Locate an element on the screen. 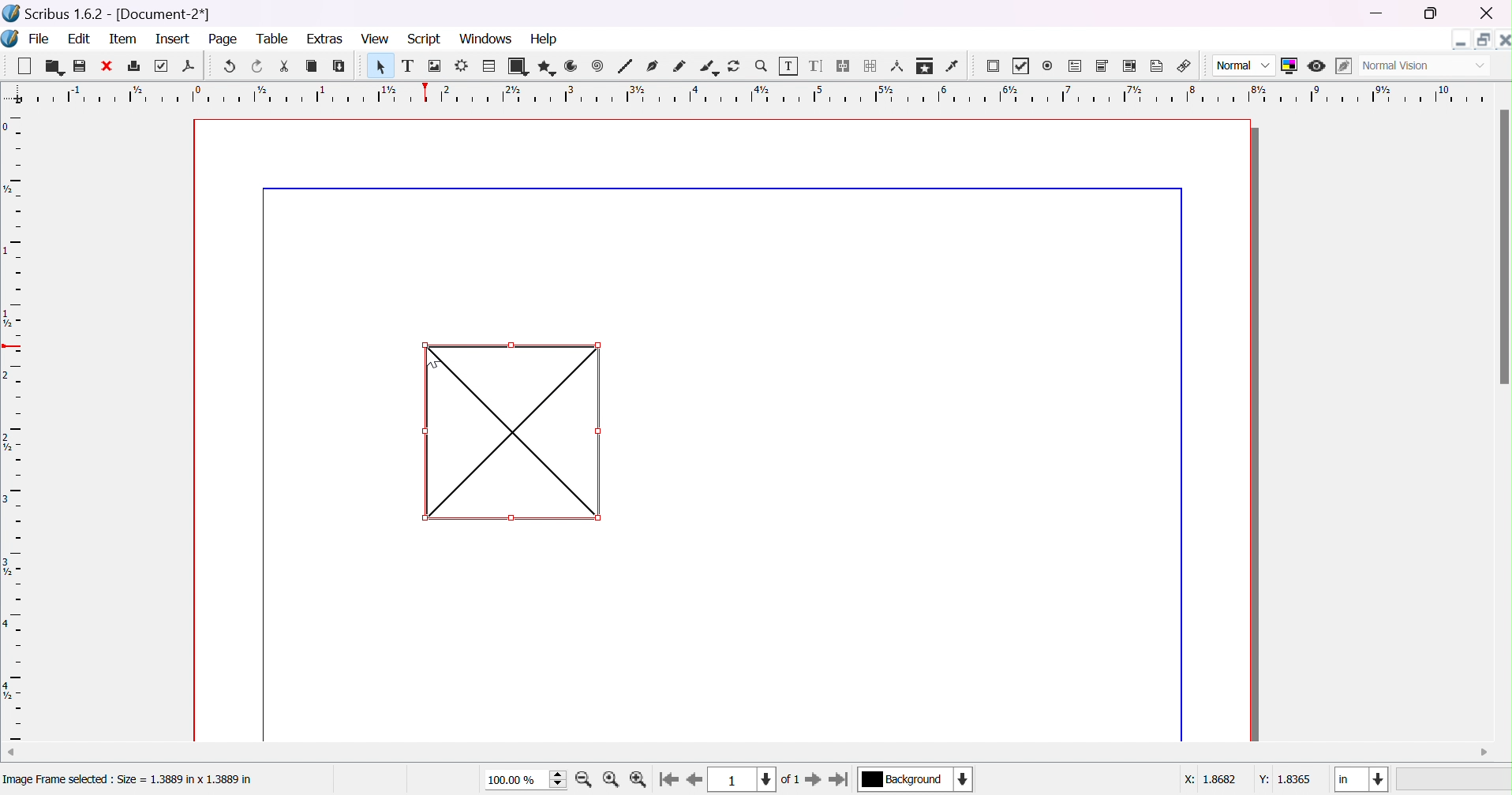  table is located at coordinates (275, 39).